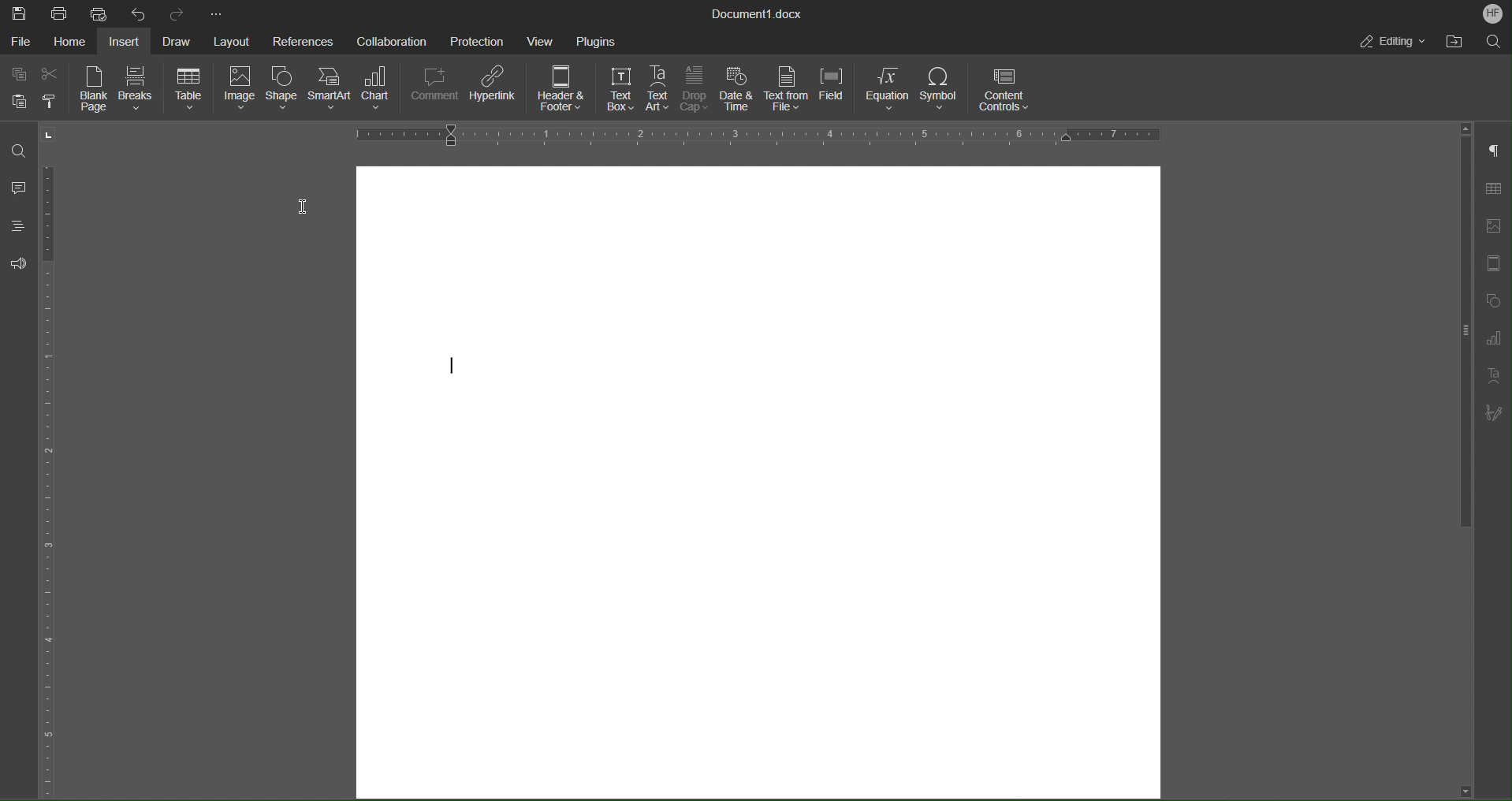 This screenshot has height=801, width=1512. What do you see at coordinates (136, 89) in the screenshot?
I see `Breaks` at bounding box center [136, 89].